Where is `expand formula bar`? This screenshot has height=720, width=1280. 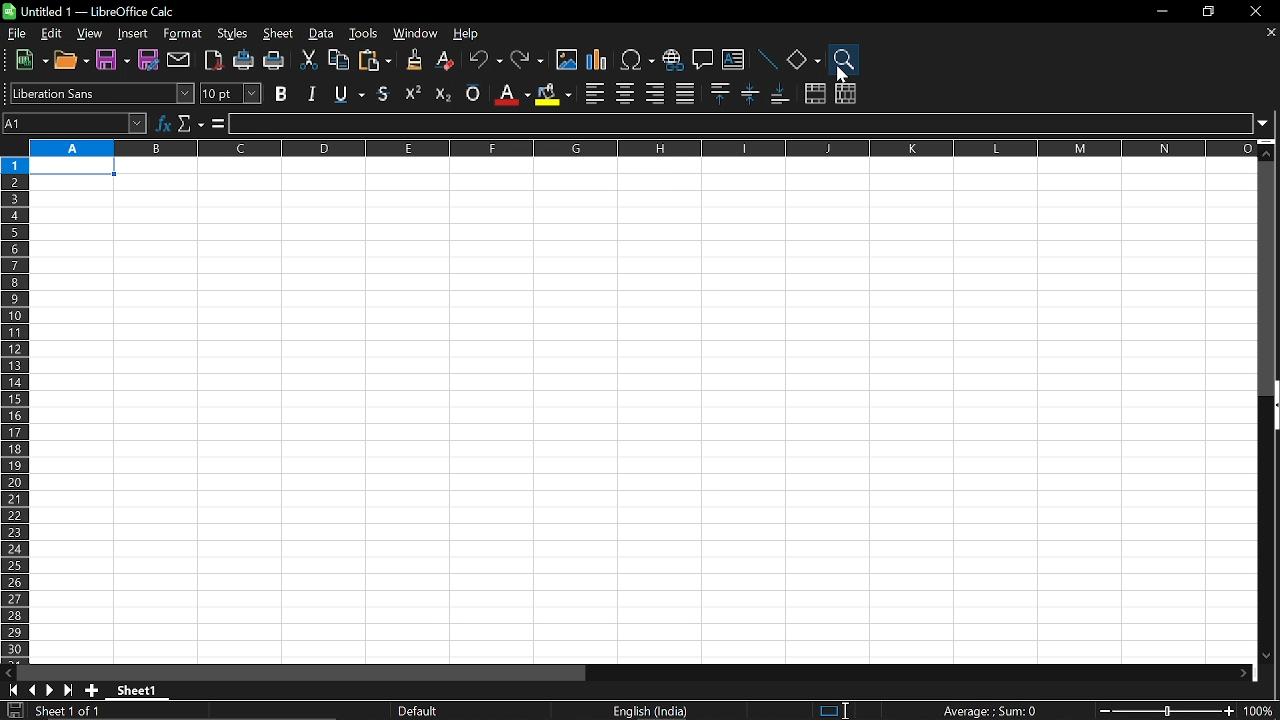 expand formula bar is located at coordinates (1268, 122).